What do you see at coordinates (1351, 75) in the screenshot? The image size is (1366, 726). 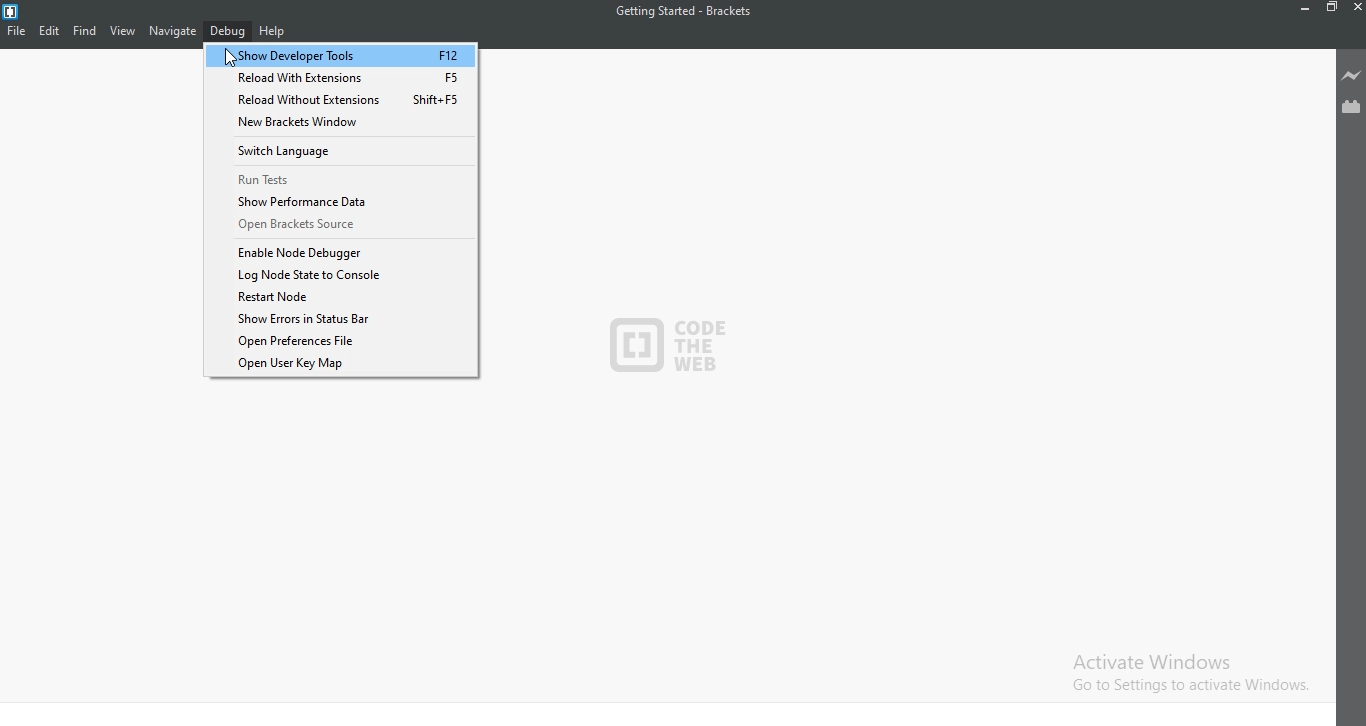 I see `Live preview` at bounding box center [1351, 75].